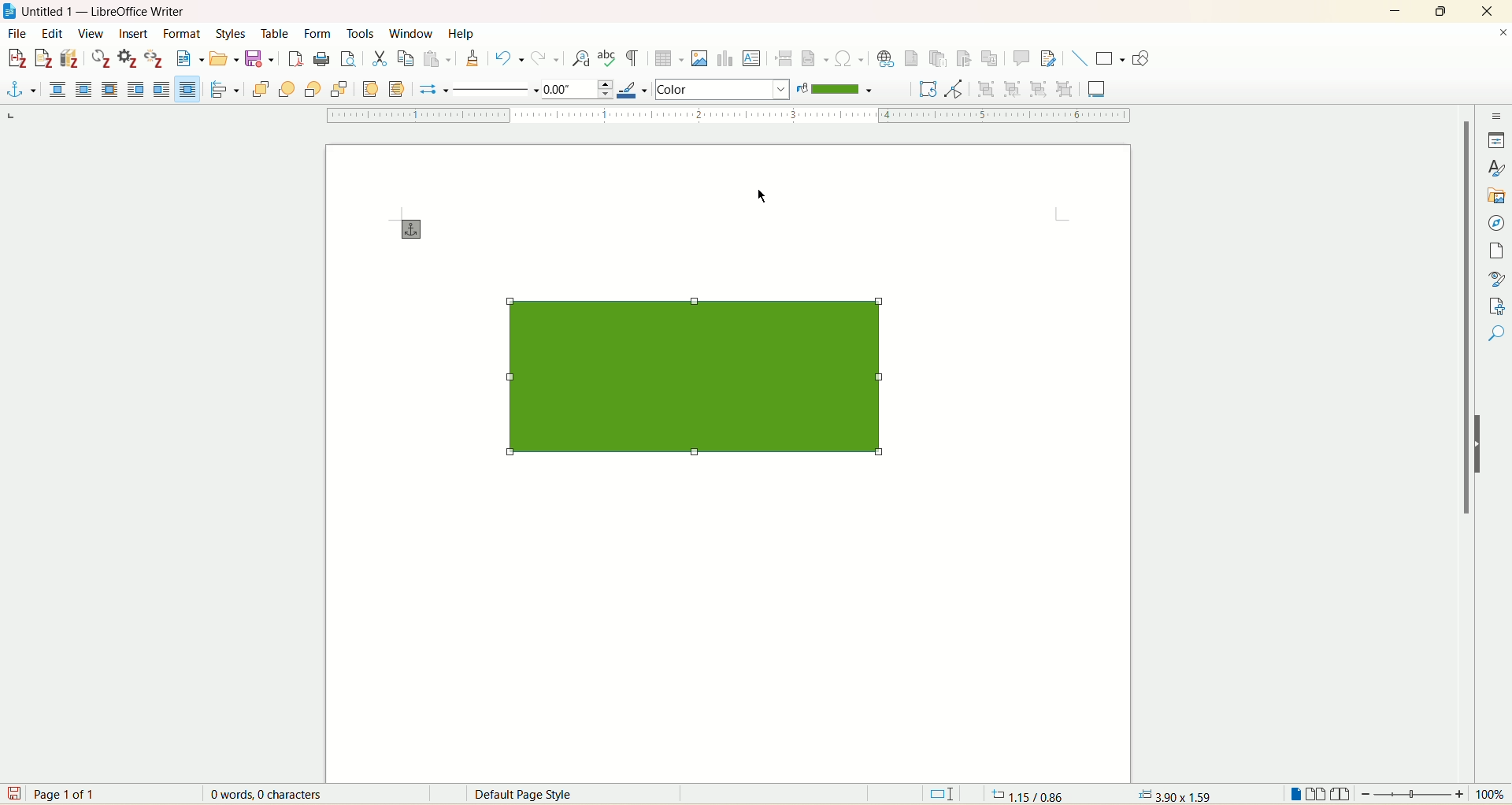 This screenshot has height=805, width=1512. Describe the element at coordinates (1487, 10) in the screenshot. I see `close` at that location.